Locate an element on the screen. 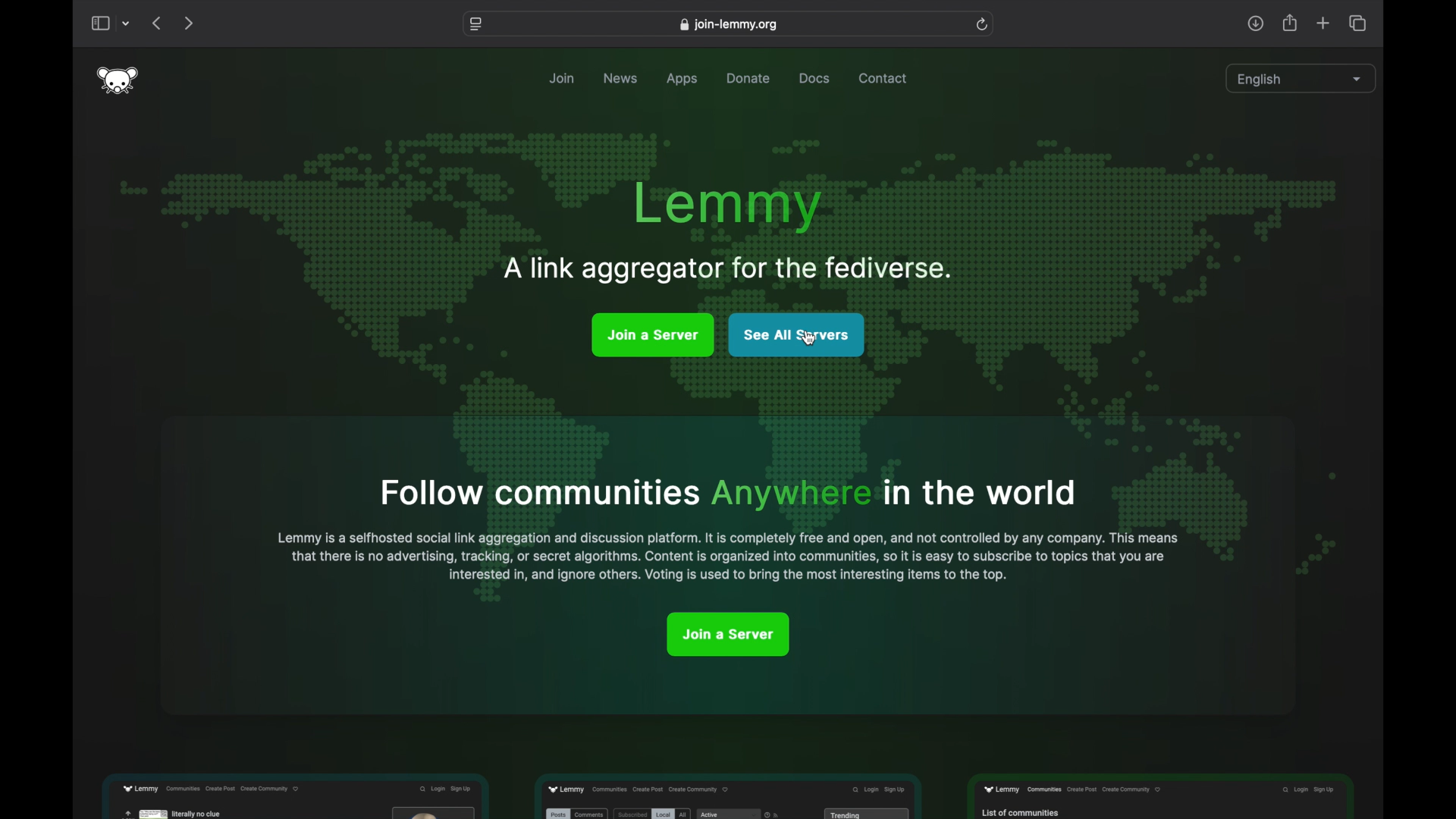  interested in, and ignore others. Voting is used to bring most interesting items to the top. is located at coordinates (727, 577).